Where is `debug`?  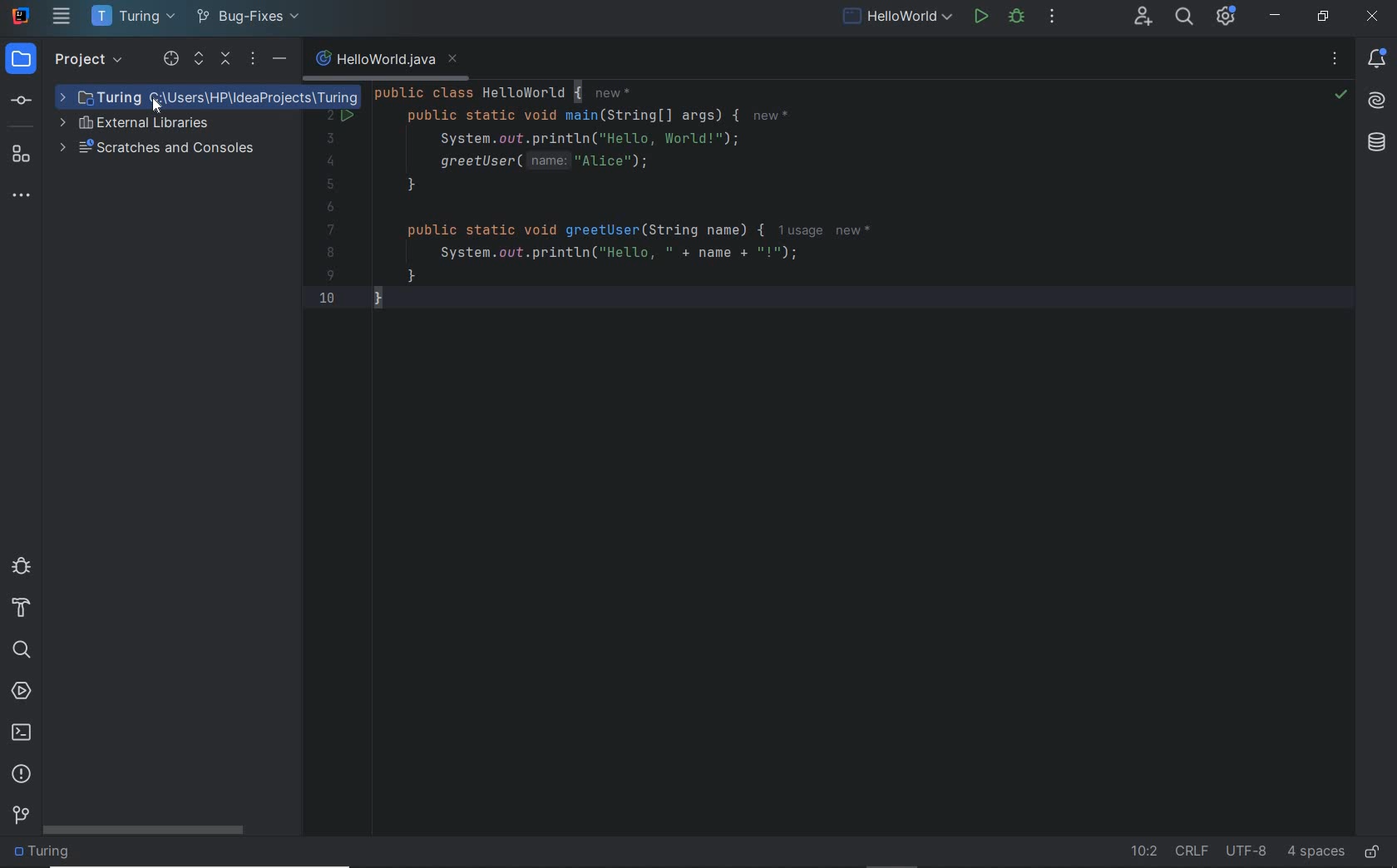
debug is located at coordinates (21, 566).